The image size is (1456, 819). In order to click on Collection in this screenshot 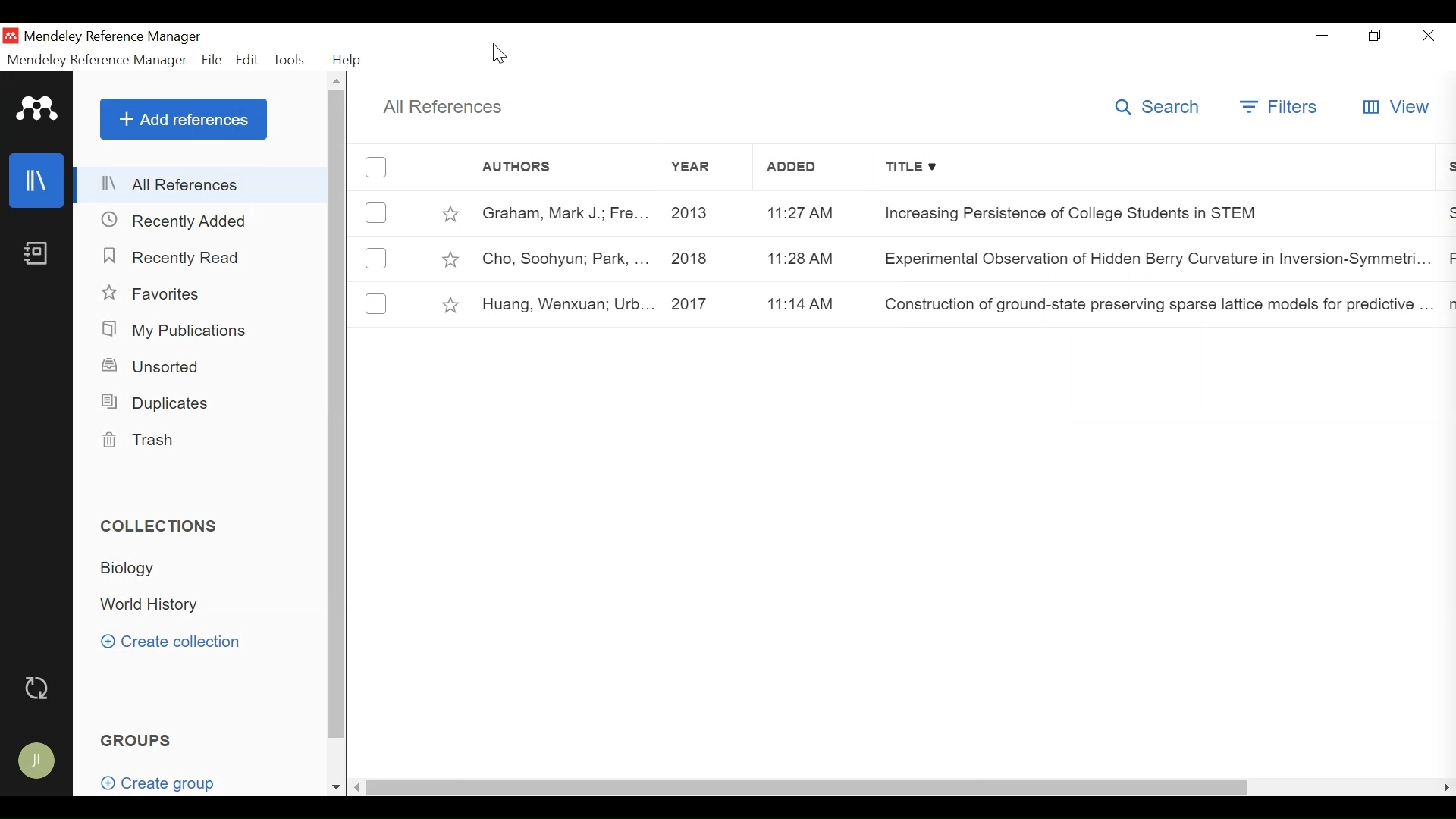, I will do `click(129, 570)`.